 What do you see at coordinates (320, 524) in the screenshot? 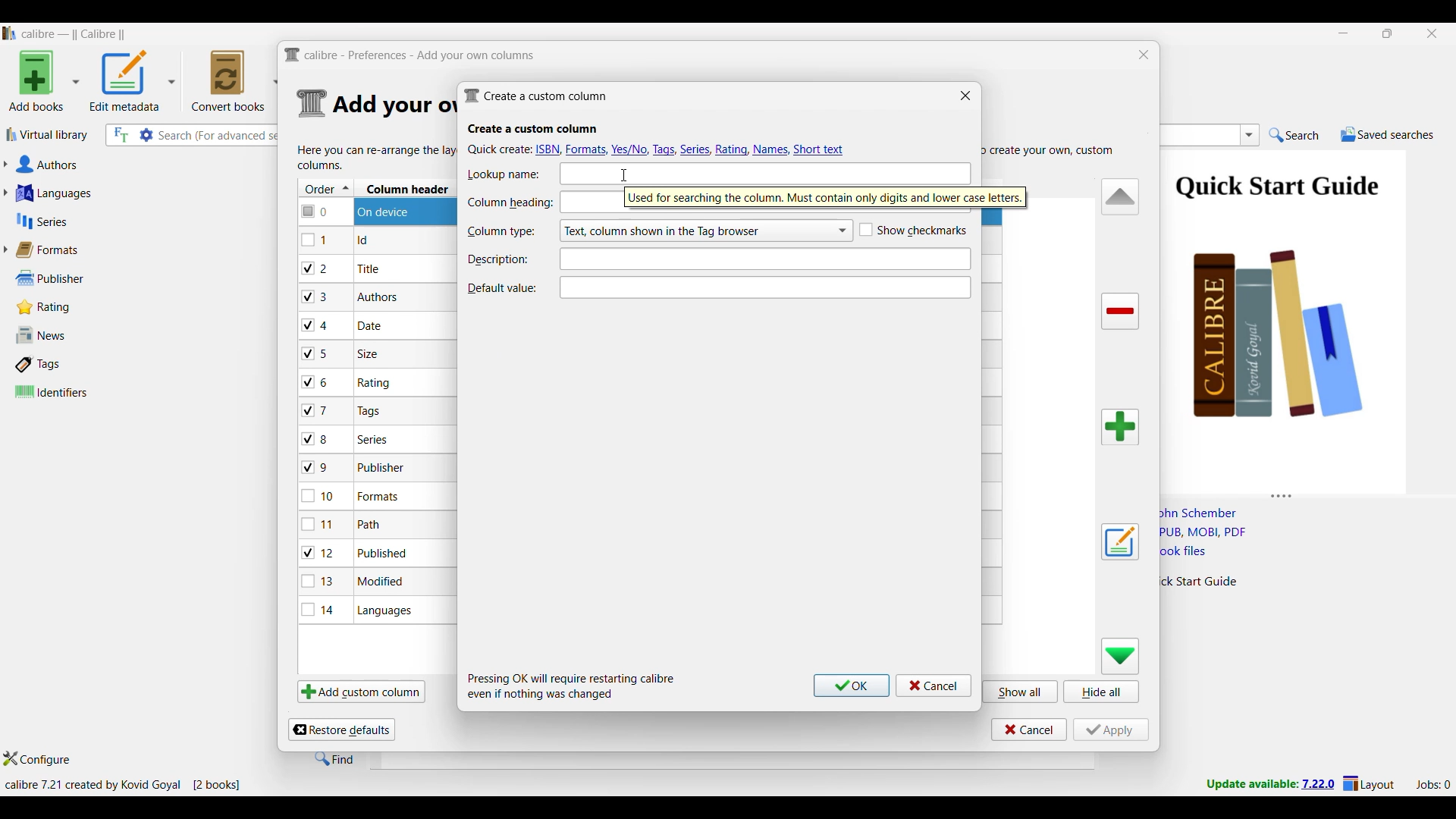
I see `checkbox - 11` at bounding box center [320, 524].